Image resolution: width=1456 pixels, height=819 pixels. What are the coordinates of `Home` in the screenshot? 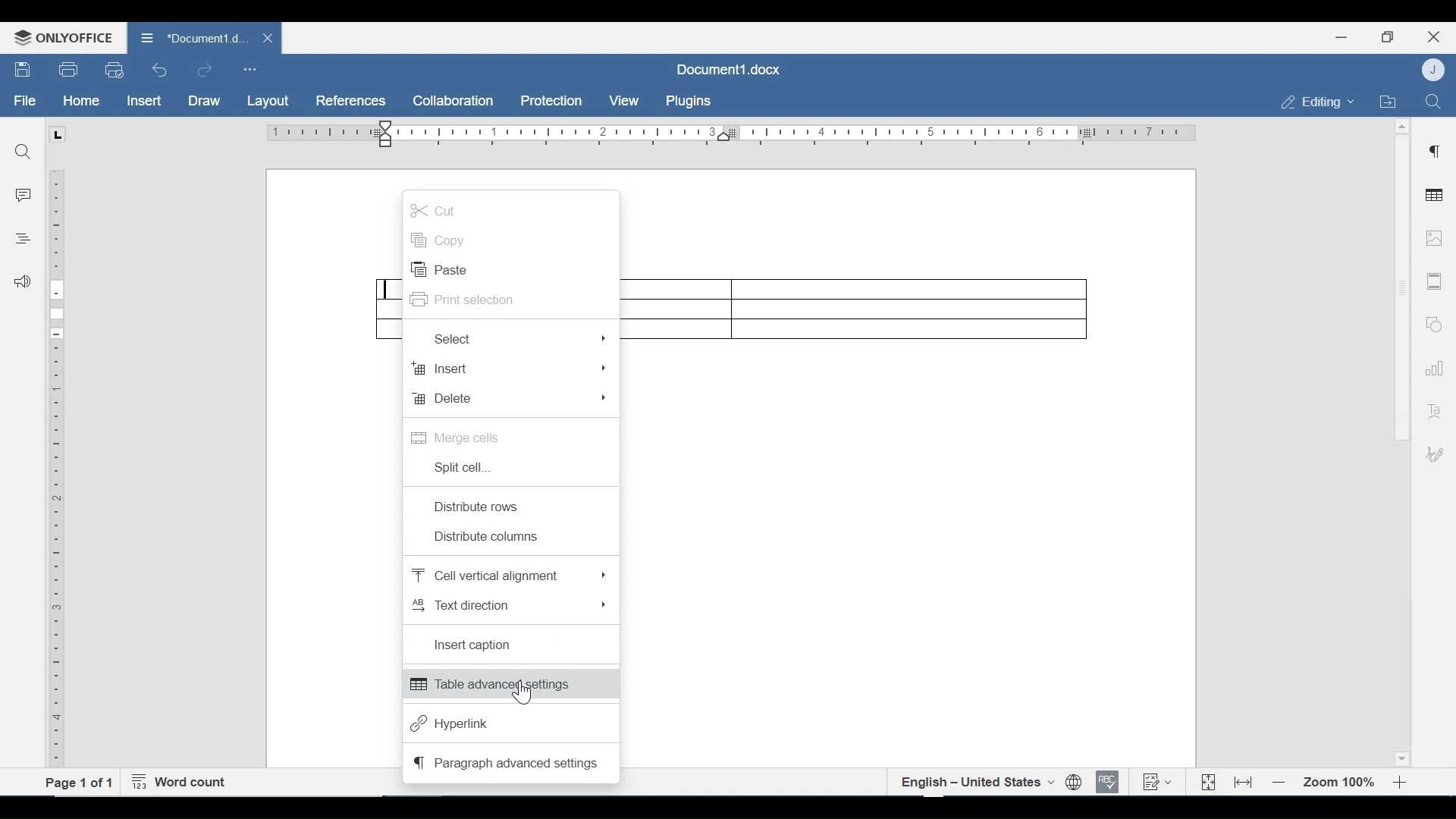 It's located at (81, 101).